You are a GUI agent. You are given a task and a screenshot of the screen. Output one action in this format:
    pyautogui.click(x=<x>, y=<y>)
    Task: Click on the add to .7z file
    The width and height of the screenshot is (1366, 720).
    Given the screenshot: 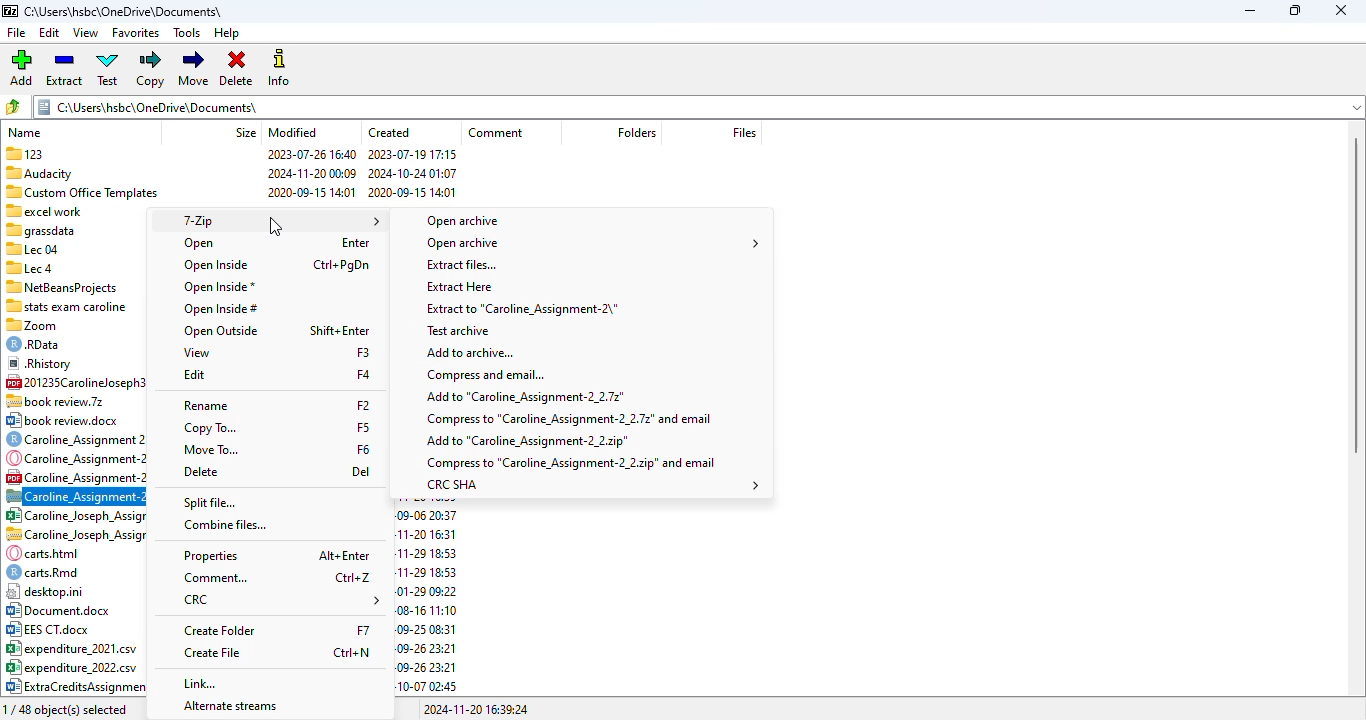 What is the action you would take?
    pyautogui.click(x=525, y=397)
    